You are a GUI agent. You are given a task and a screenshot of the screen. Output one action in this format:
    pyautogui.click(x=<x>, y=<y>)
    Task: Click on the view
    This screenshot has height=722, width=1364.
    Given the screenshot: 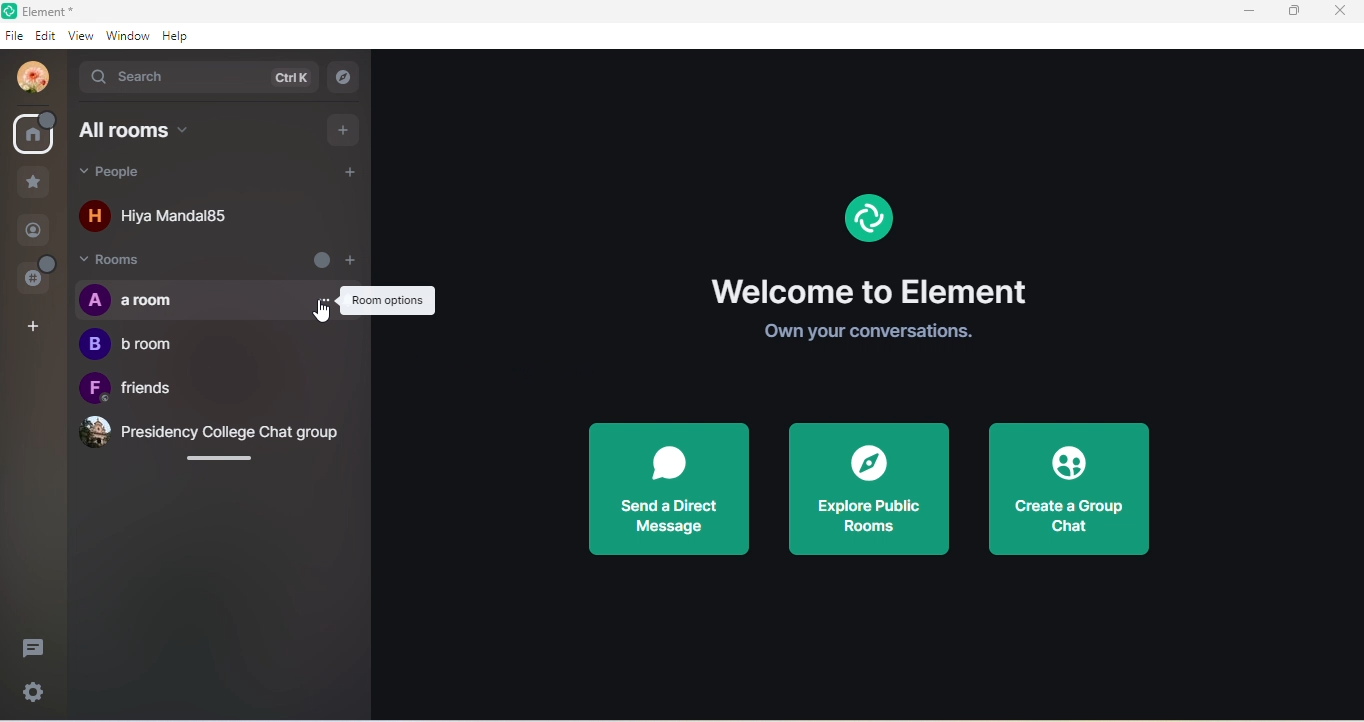 What is the action you would take?
    pyautogui.click(x=81, y=34)
    